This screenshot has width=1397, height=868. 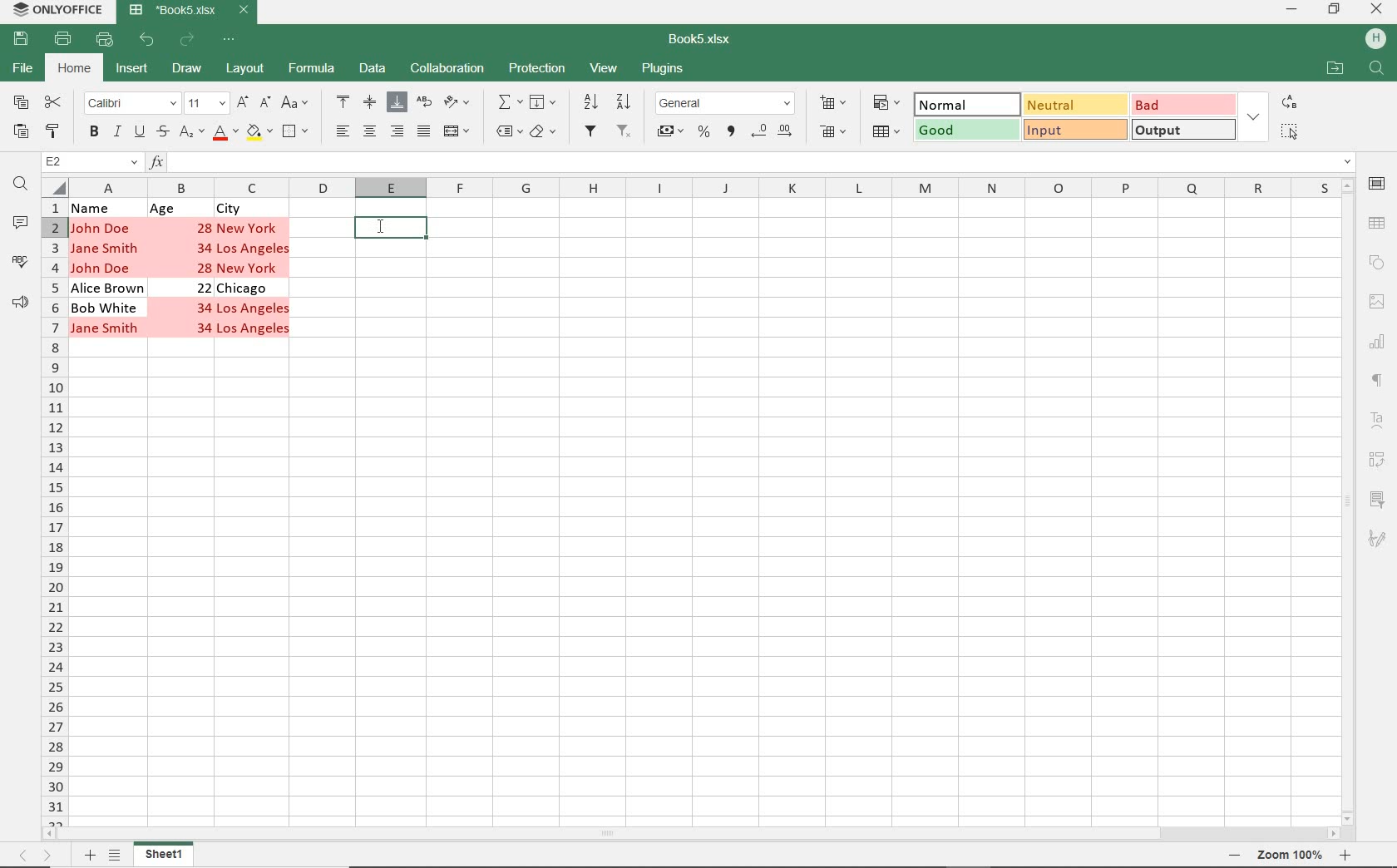 What do you see at coordinates (26, 70) in the screenshot?
I see `FILE` at bounding box center [26, 70].